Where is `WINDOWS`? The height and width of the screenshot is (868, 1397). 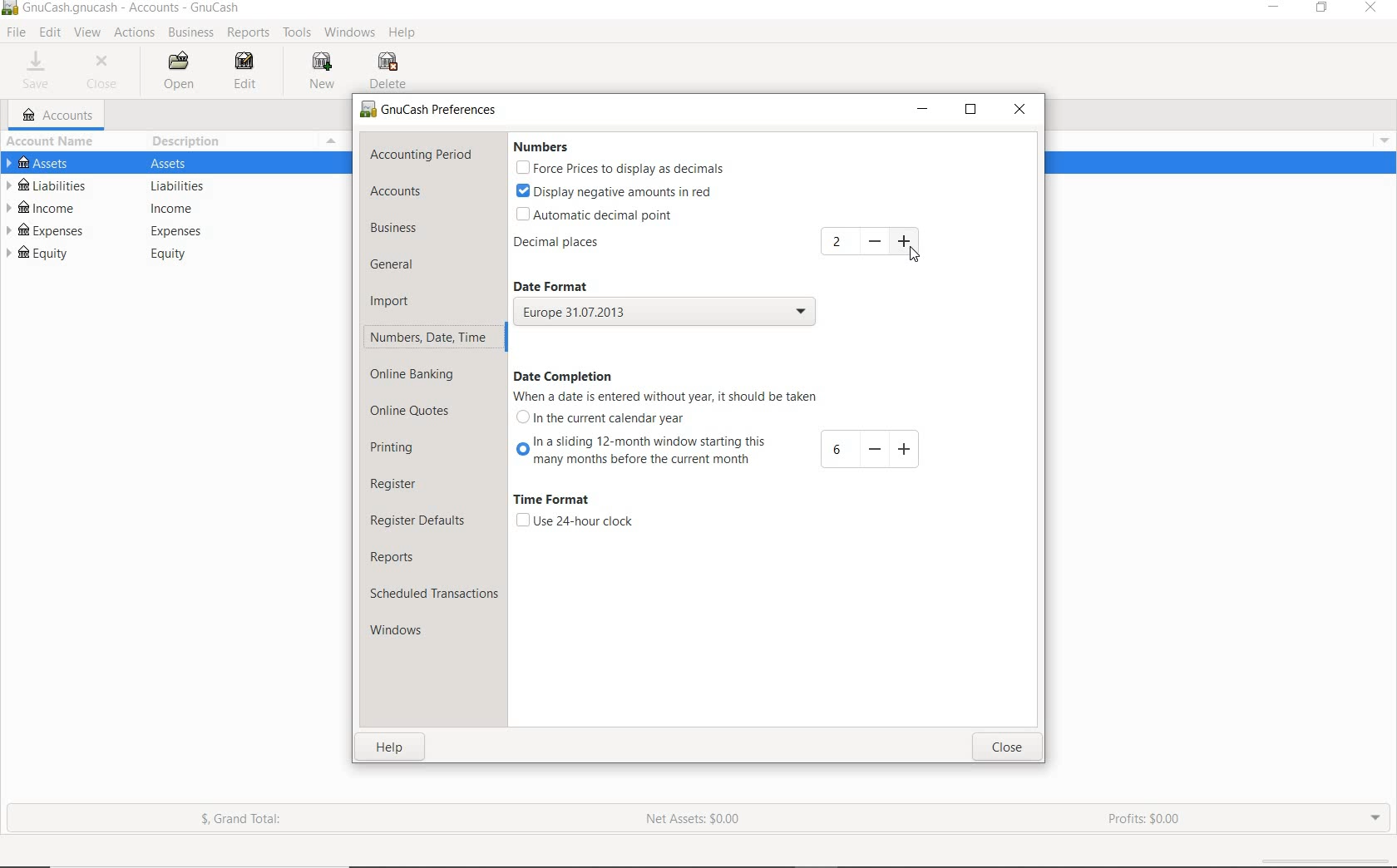 WINDOWS is located at coordinates (349, 33).